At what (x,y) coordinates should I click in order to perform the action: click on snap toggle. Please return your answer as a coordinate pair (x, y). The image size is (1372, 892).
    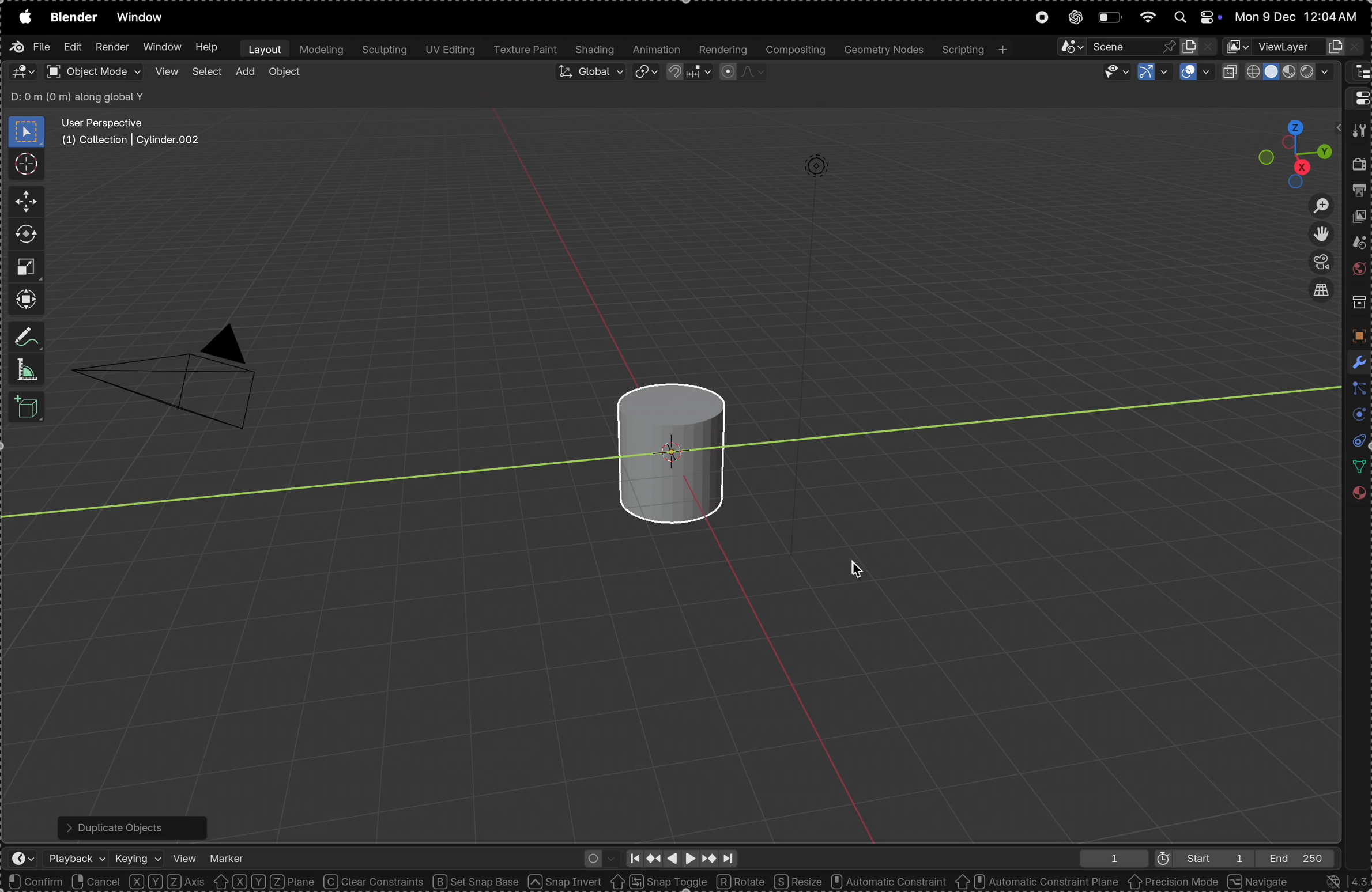
    Looking at the image, I should click on (658, 881).